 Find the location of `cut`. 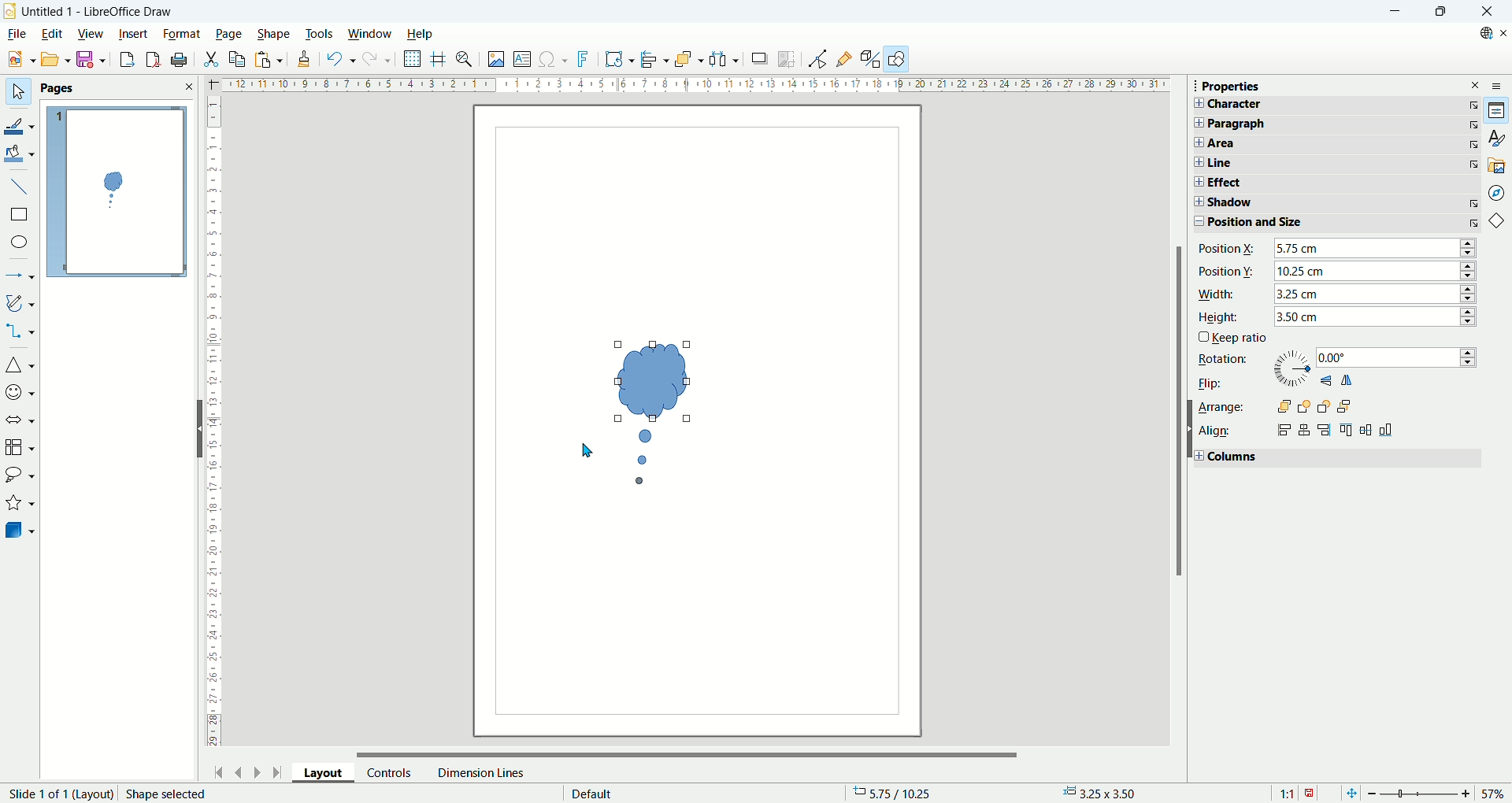

cut is located at coordinates (213, 57).